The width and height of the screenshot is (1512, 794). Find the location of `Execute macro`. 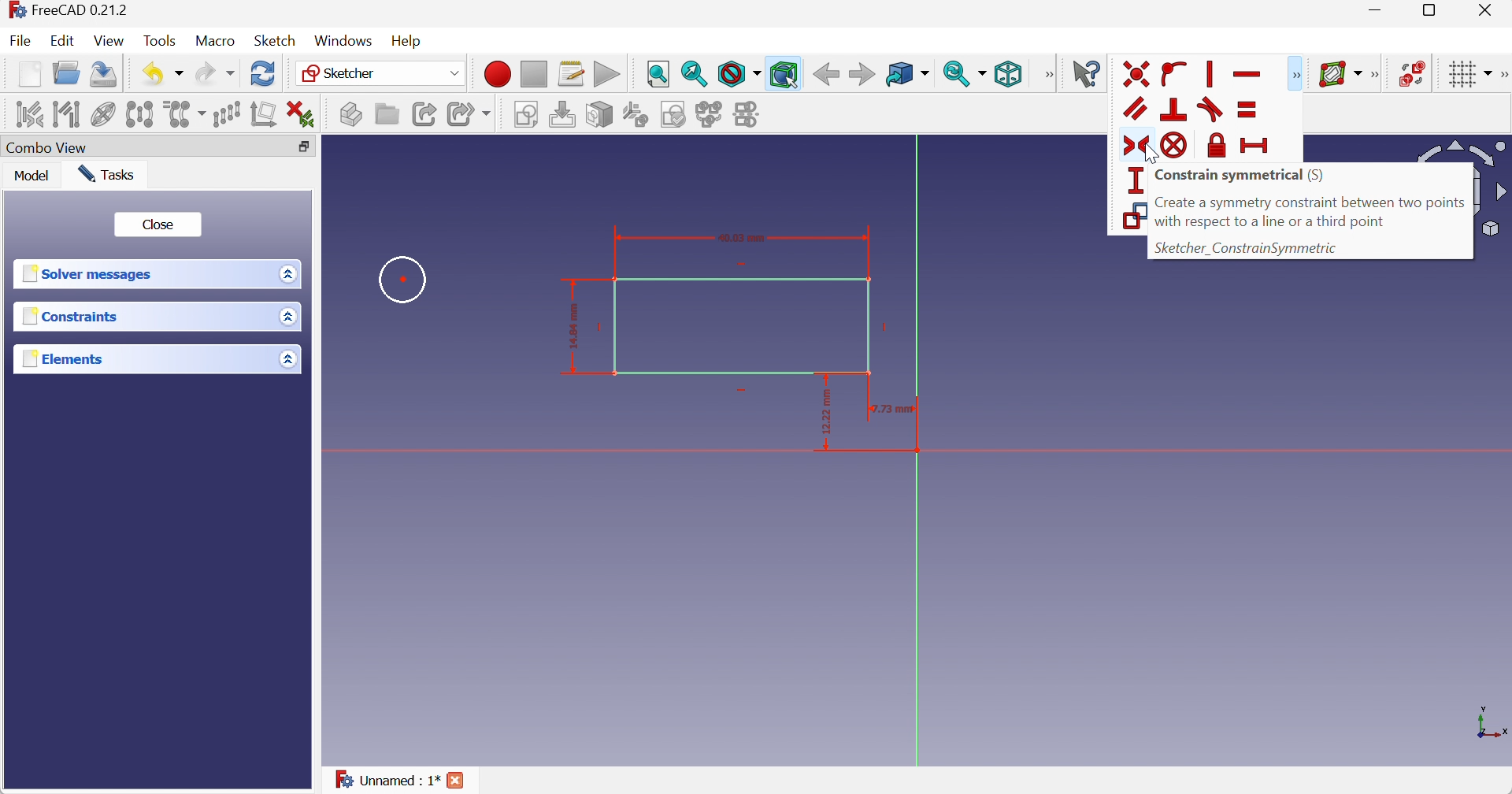

Execute macro is located at coordinates (606, 74).